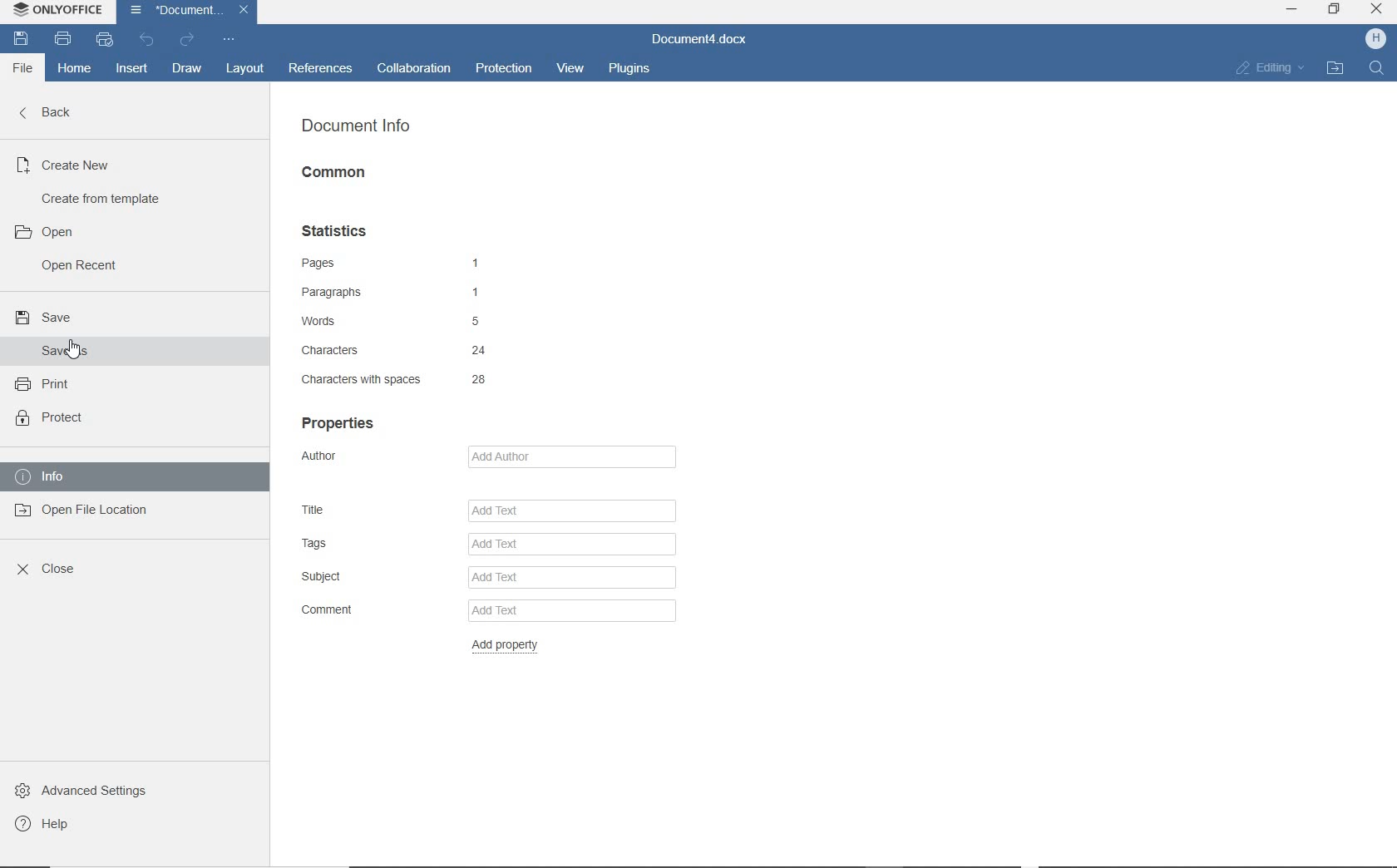 The width and height of the screenshot is (1397, 868). Describe the element at coordinates (391, 350) in the screenshot. I see `characters 24` at that location.